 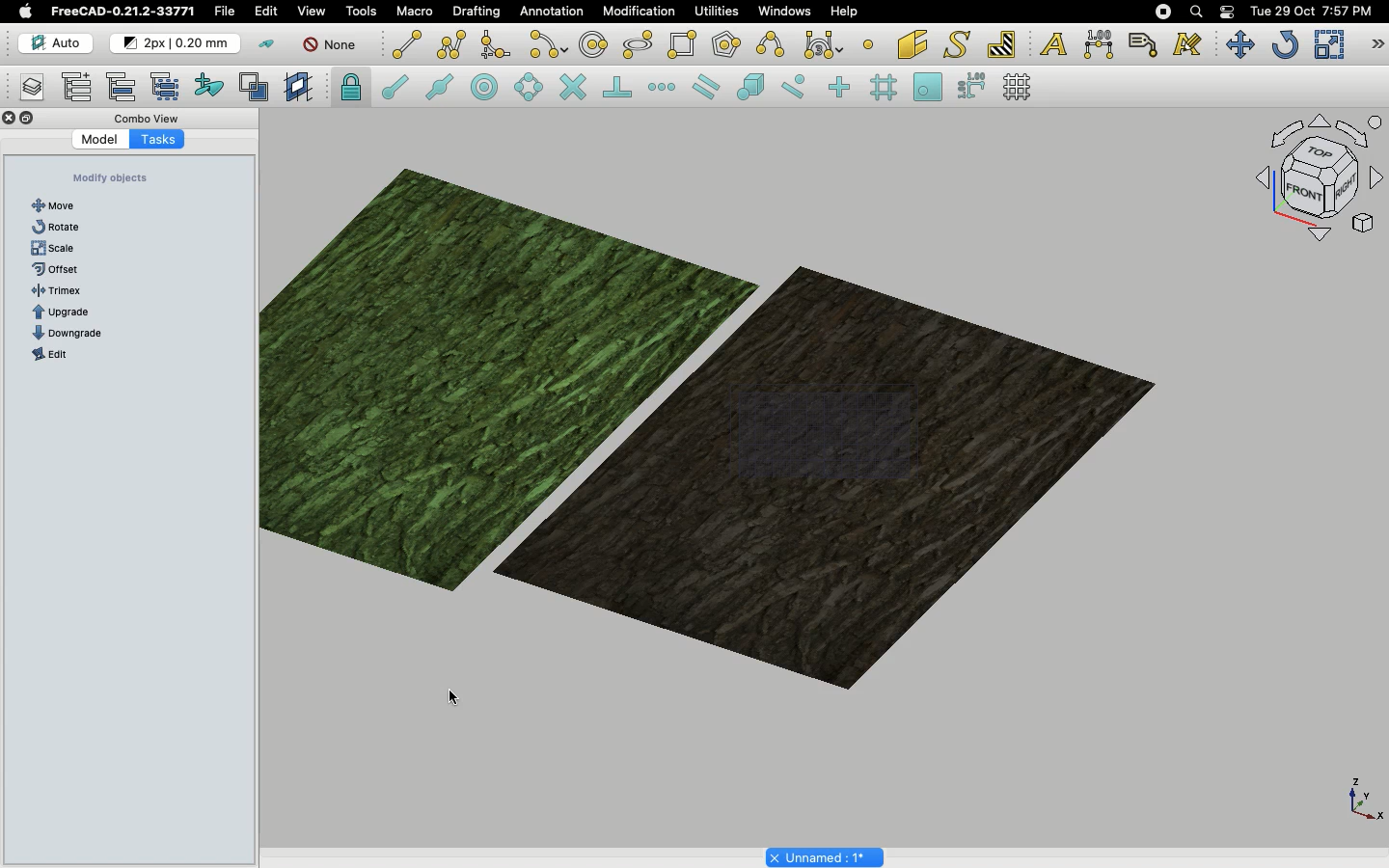 What do you see at coordinates (168, 138) in the screenshot?
I see `Tasks` at bounding box center [168, 138].